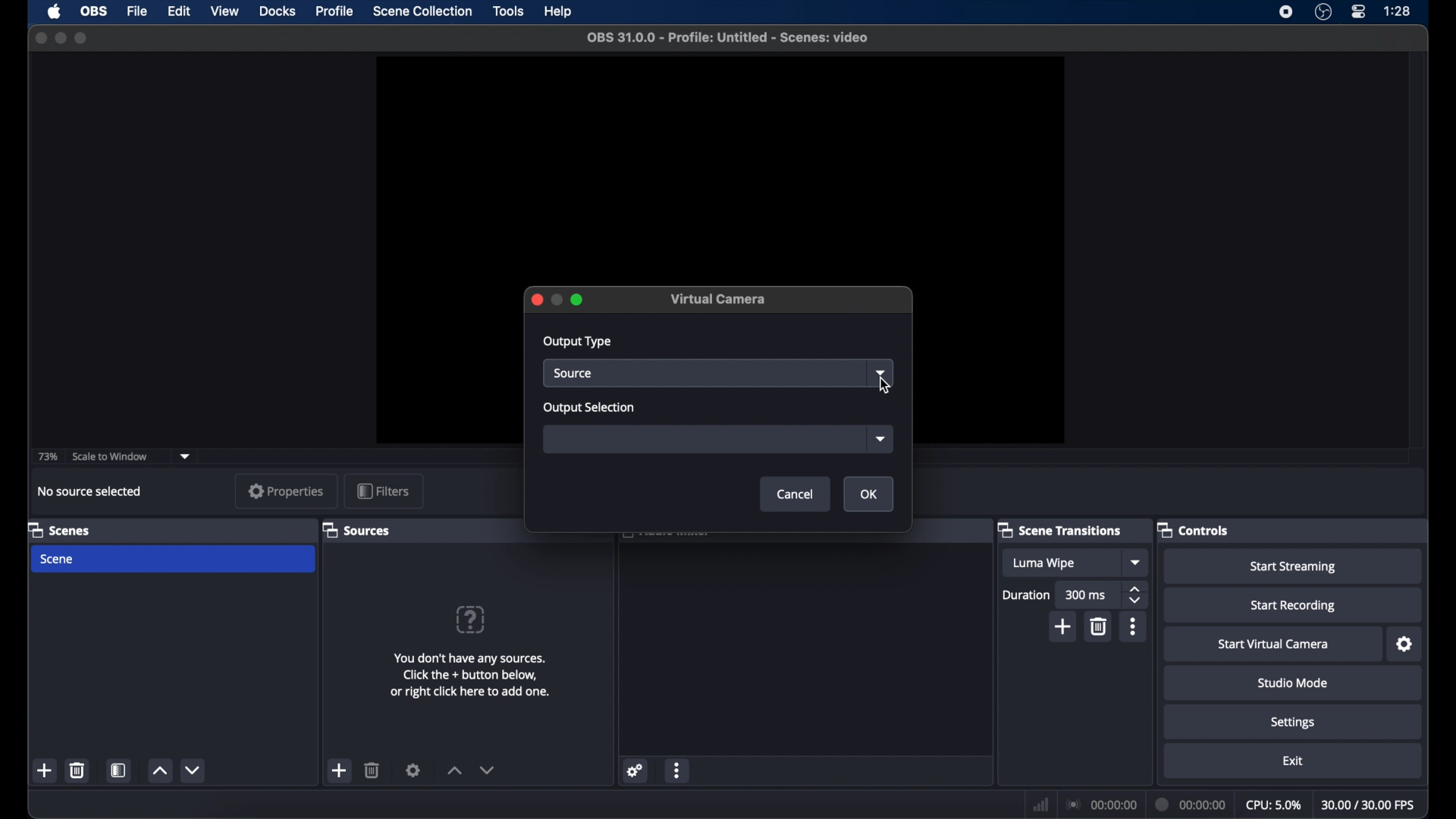 The width and height of the screenshot is (1456, 819). Describe the element at coordinates (93, 11) in the screenshot. I see `obs` at that location.